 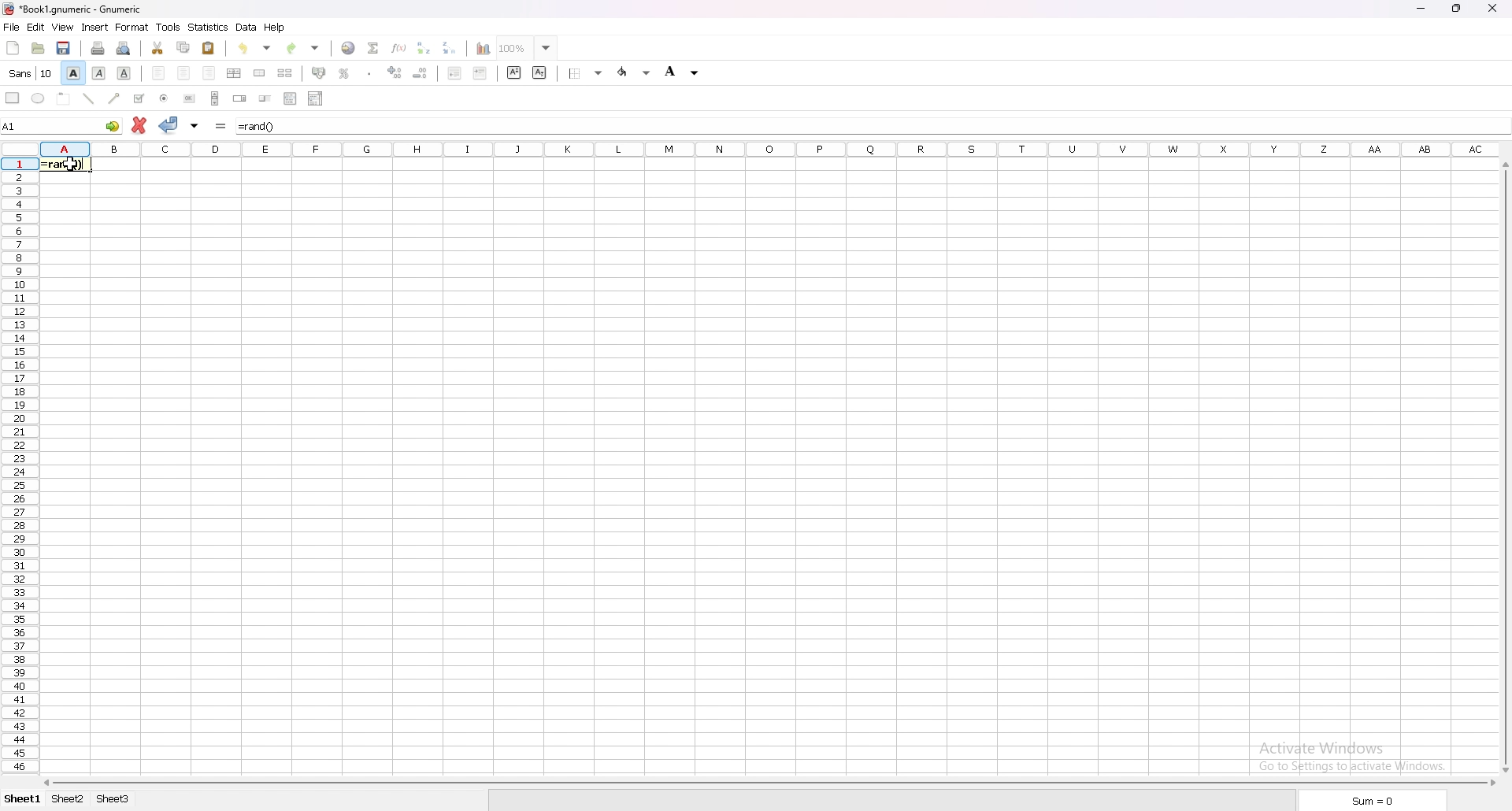 I want to click on sheet 2, so click(x=69, y=800).